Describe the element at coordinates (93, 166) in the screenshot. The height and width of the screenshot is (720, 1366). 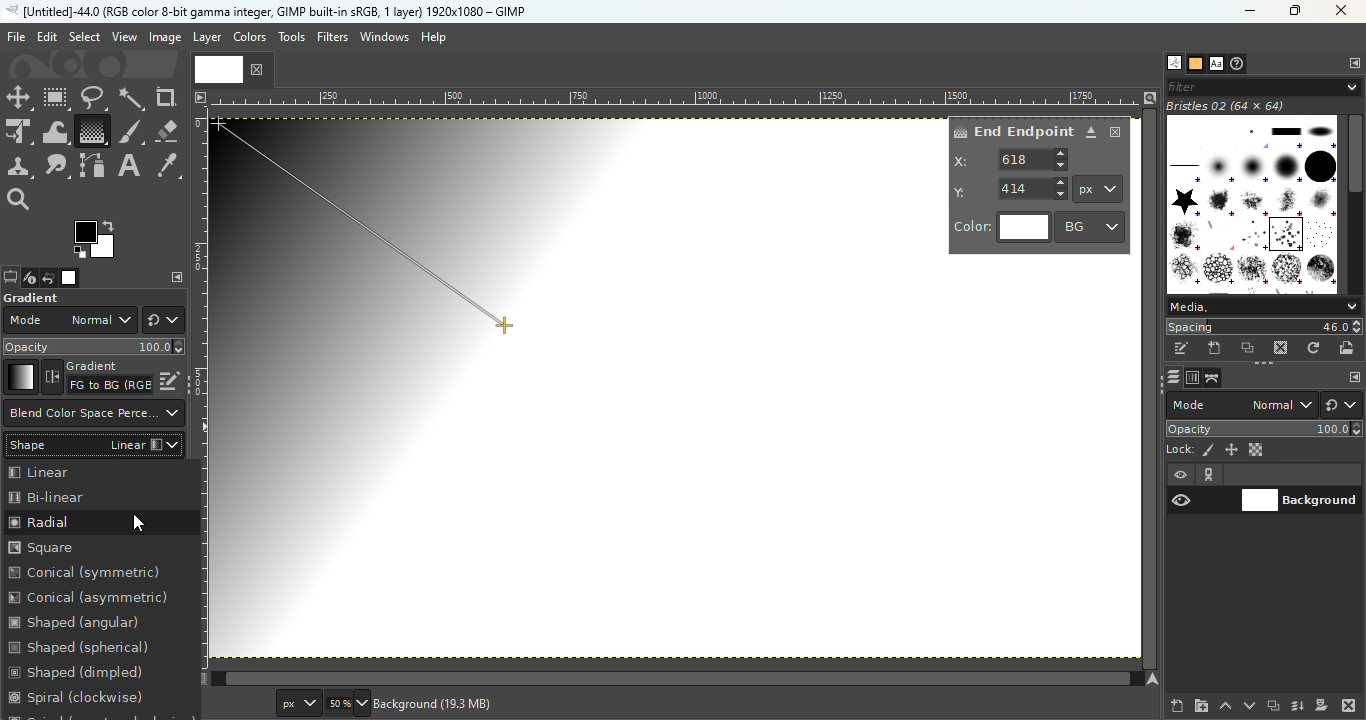
I see `Paths tool` at that location.